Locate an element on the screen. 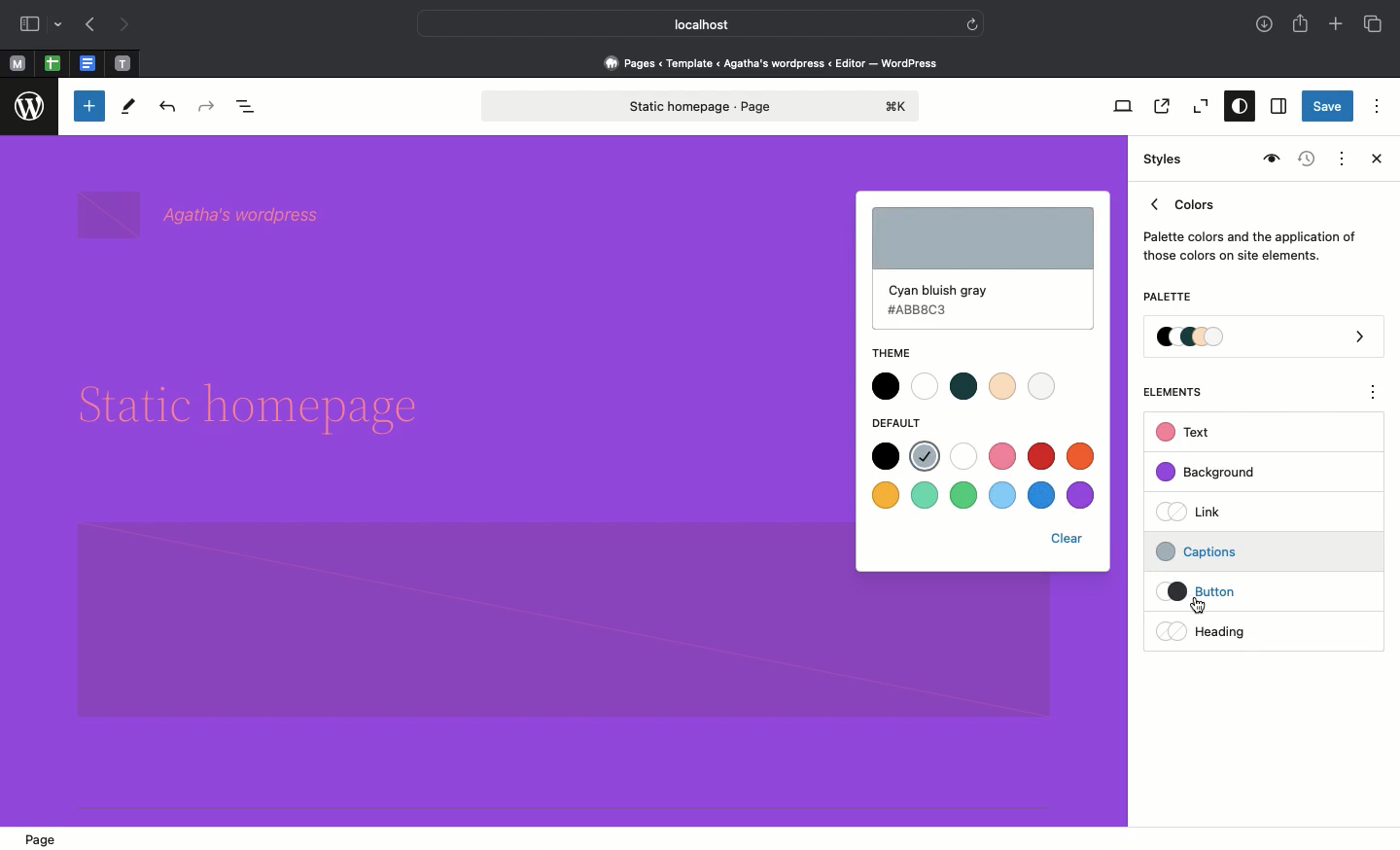 Image resolution: width=1400 pixels, height=850 pixels. Styles is located at coordinates (1235, 108).